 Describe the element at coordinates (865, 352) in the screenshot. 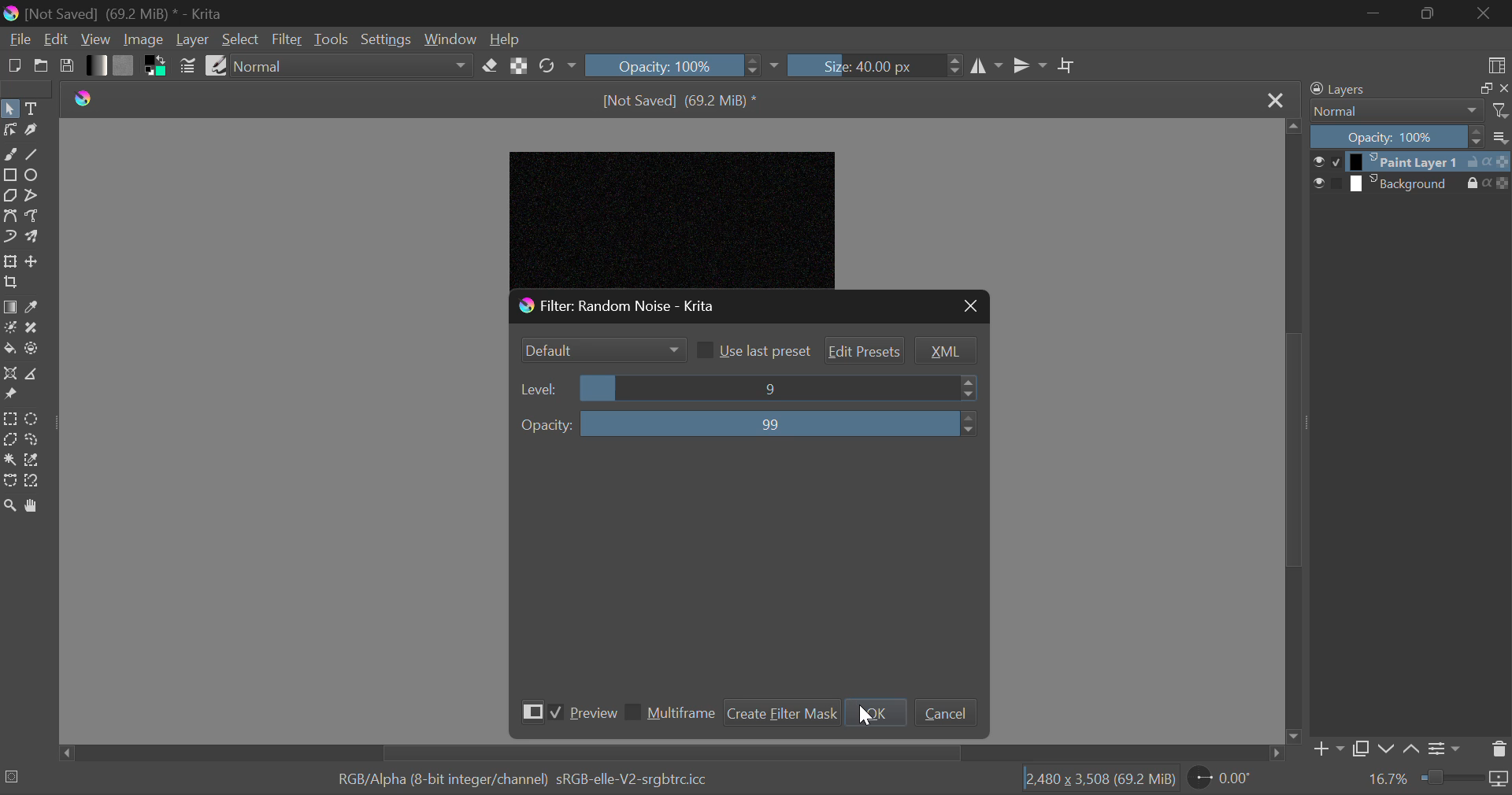

I see `Edit Presets` at that location.